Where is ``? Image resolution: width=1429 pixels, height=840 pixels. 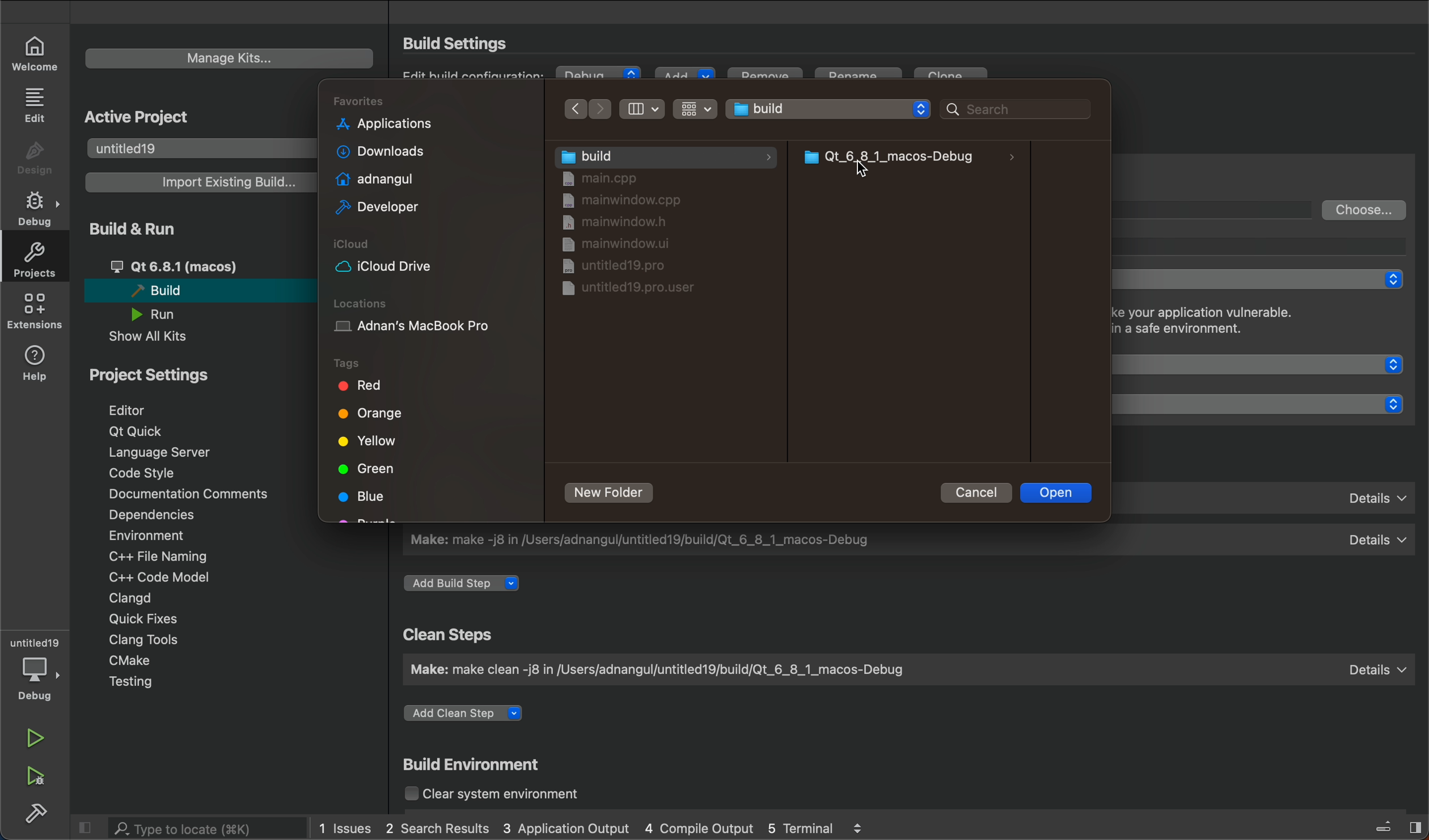  is located at coordinates (694, 108).